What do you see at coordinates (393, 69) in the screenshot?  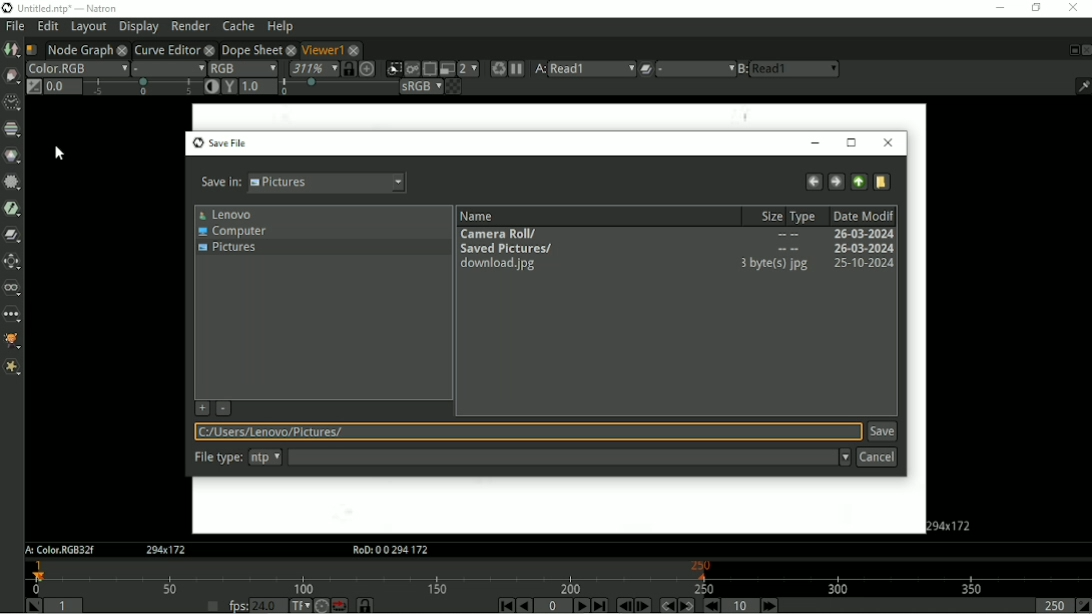 I see `Clips the portion of the image` at bounding box center [393, 69].